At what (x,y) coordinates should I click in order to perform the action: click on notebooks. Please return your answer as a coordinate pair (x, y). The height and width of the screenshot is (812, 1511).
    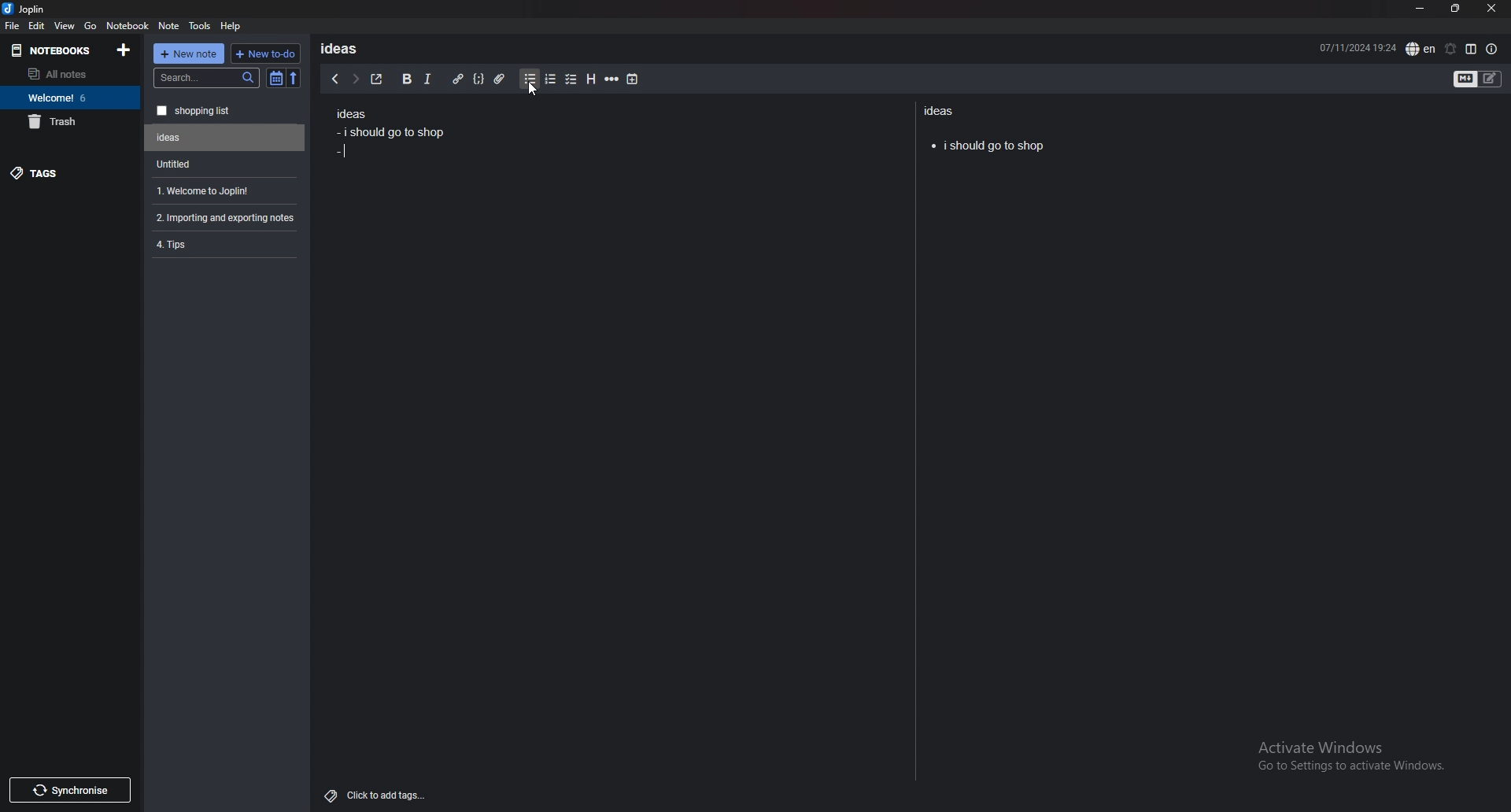
    Looking at the image, I should click on (56, 50).